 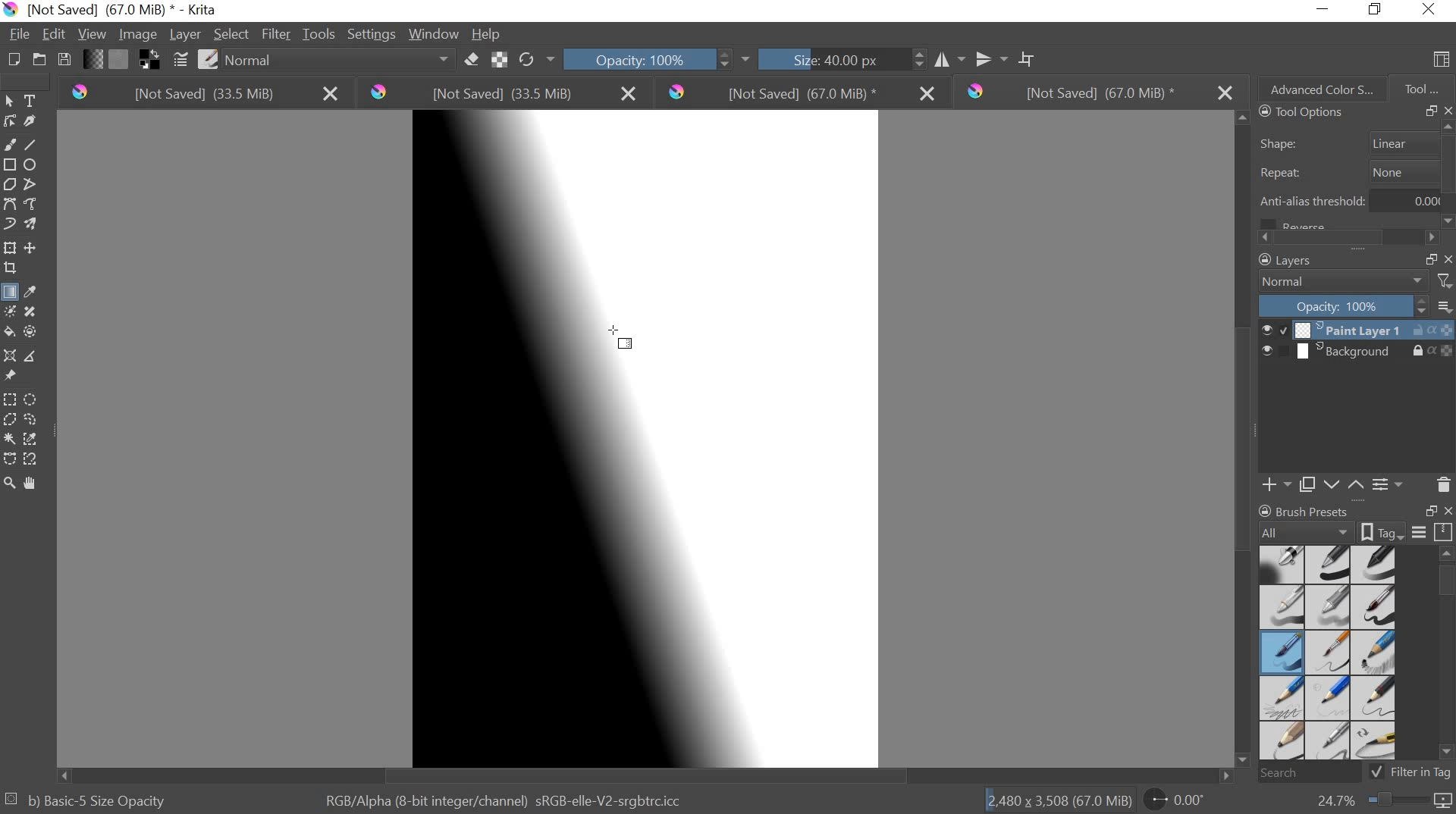 I want to click on crop layer, so click(x=12, y=270).